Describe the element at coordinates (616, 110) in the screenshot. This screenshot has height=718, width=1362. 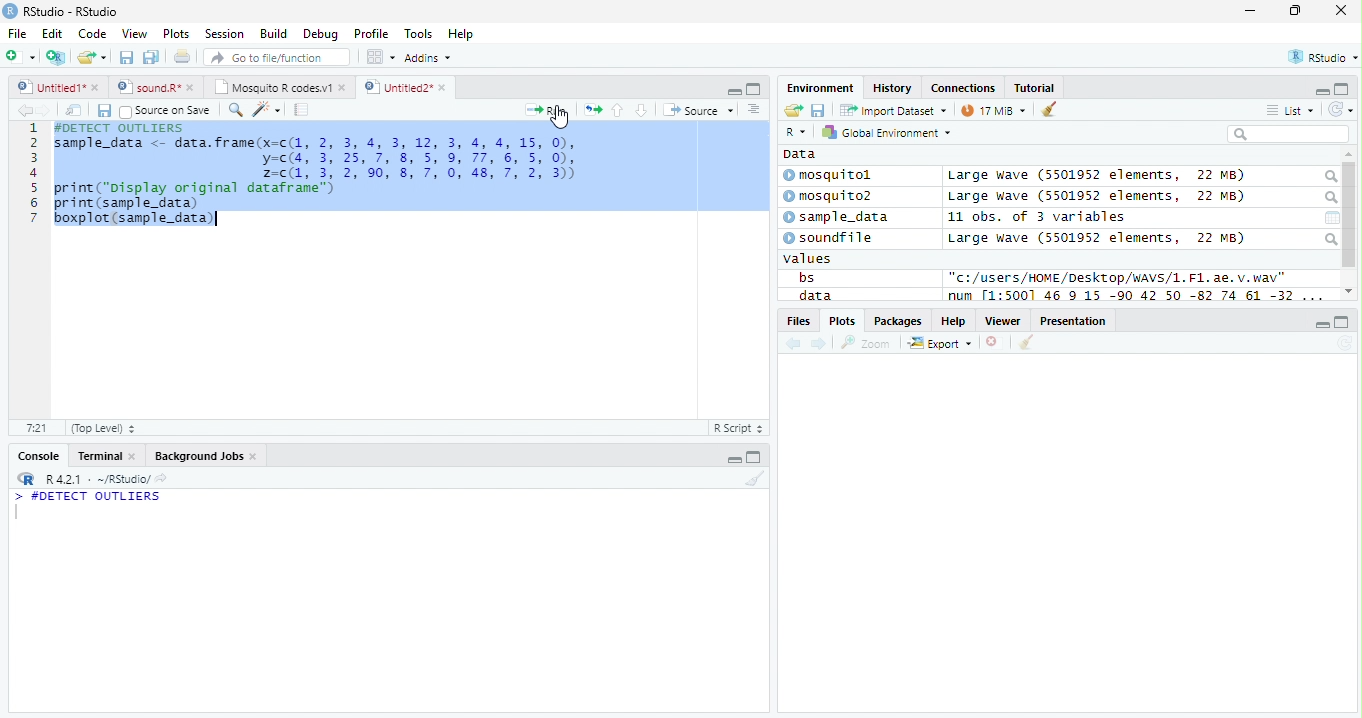
I see `Go to previous section` at that location.